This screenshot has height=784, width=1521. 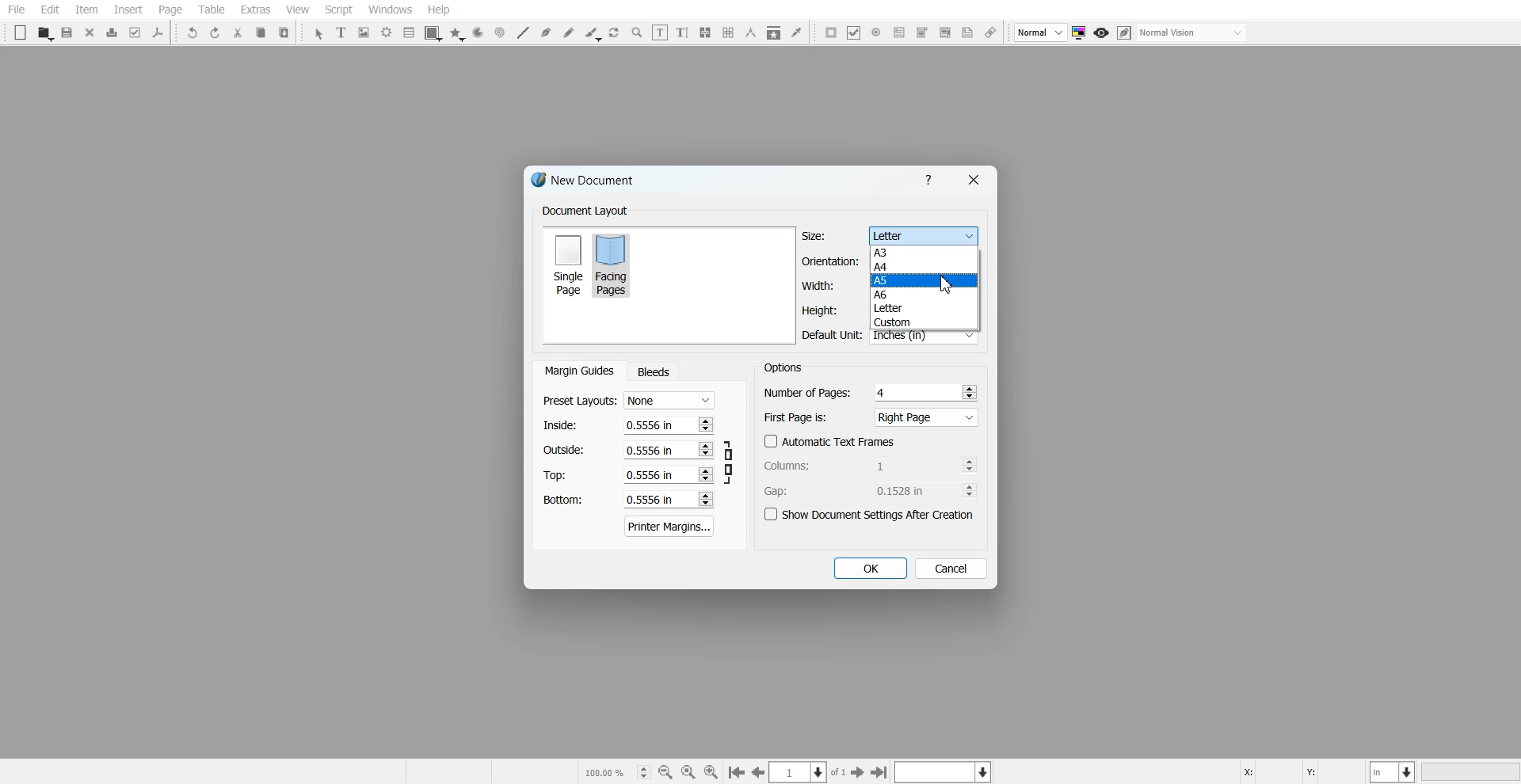 I want to click on Polygon, so click(x=457, y=34).